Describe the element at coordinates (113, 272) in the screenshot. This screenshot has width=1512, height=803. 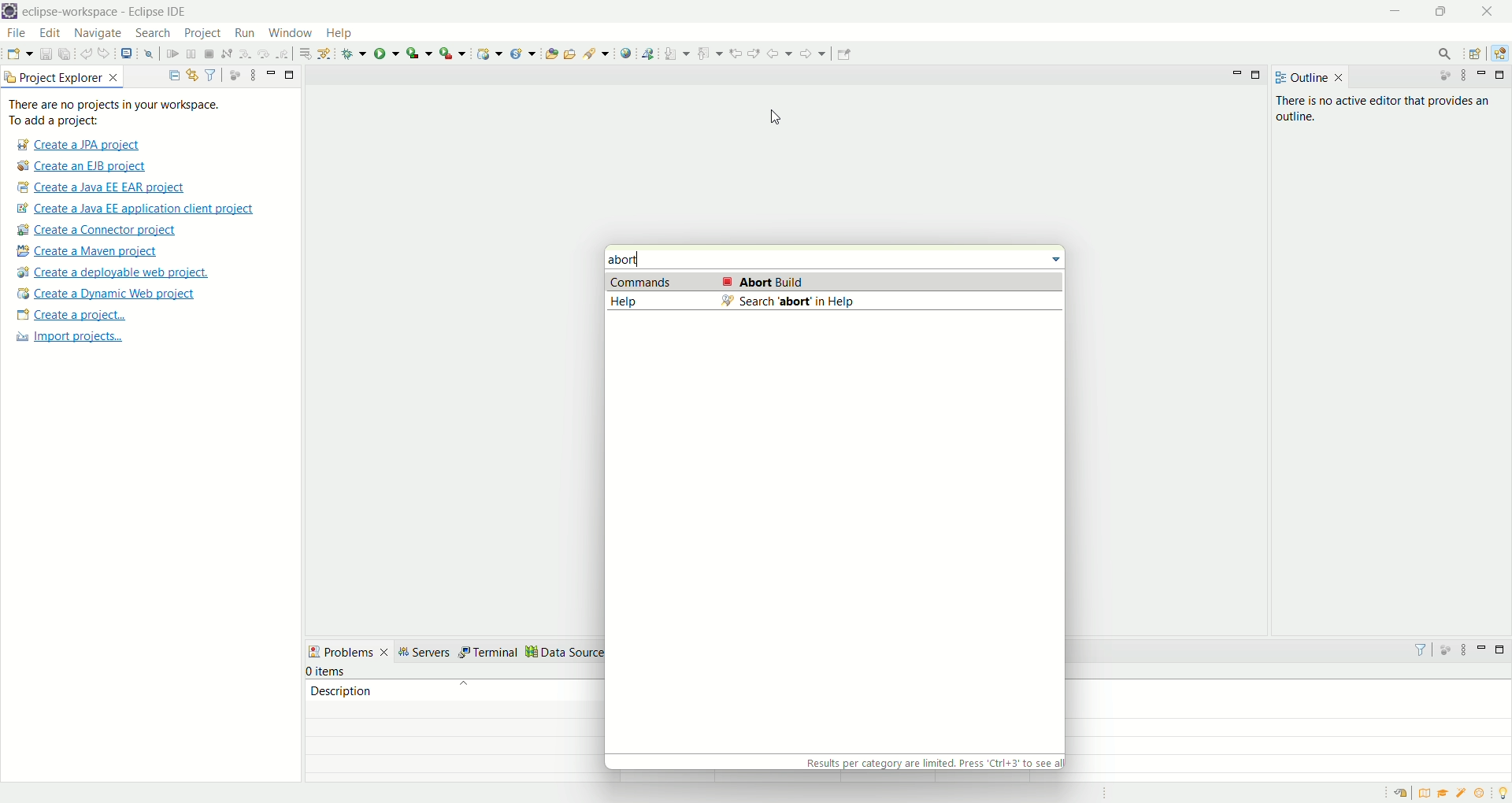
I see `create a deployable web project` at that location.